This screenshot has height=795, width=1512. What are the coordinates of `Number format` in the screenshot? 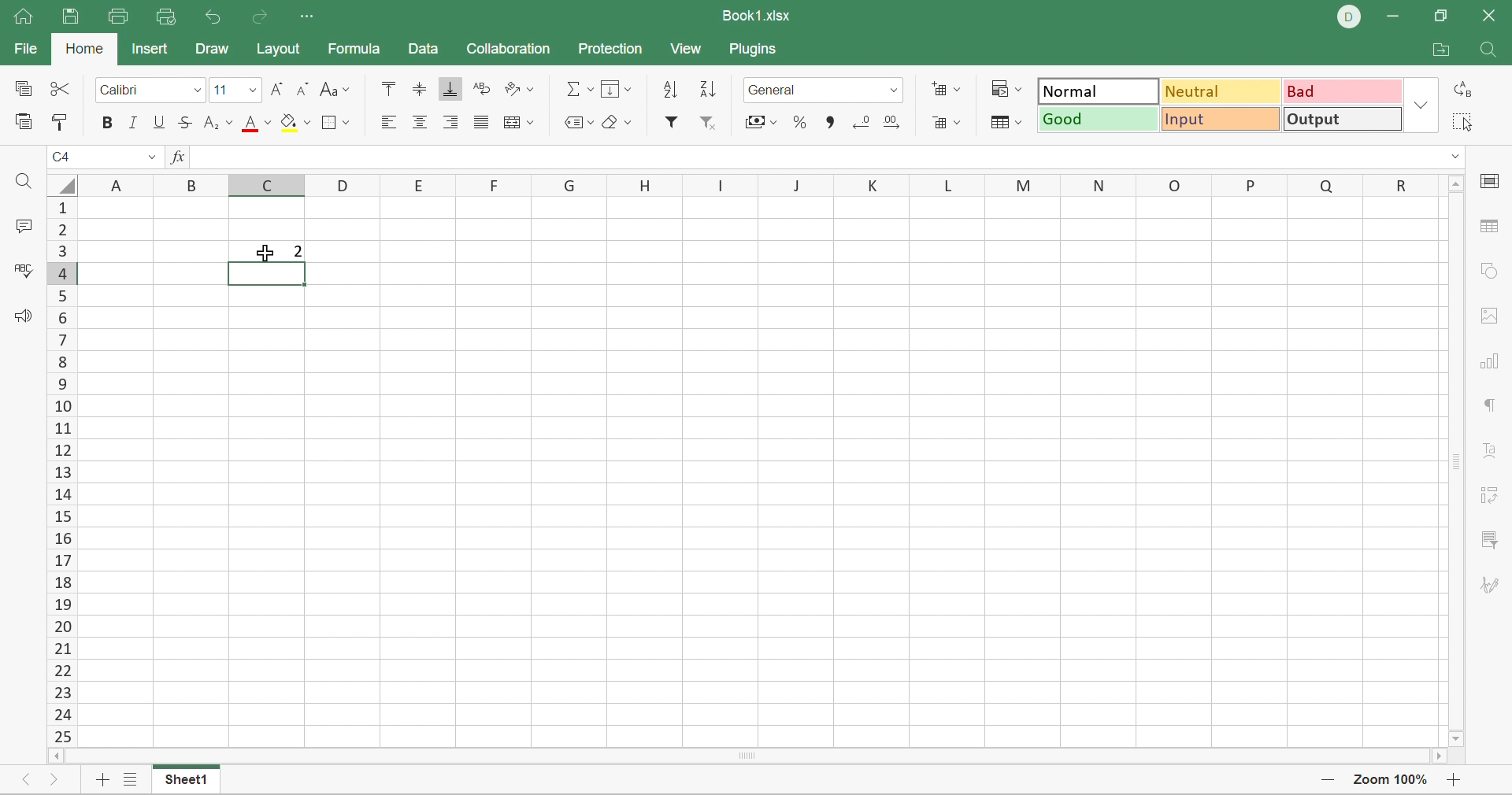 It's located at (777, 89).